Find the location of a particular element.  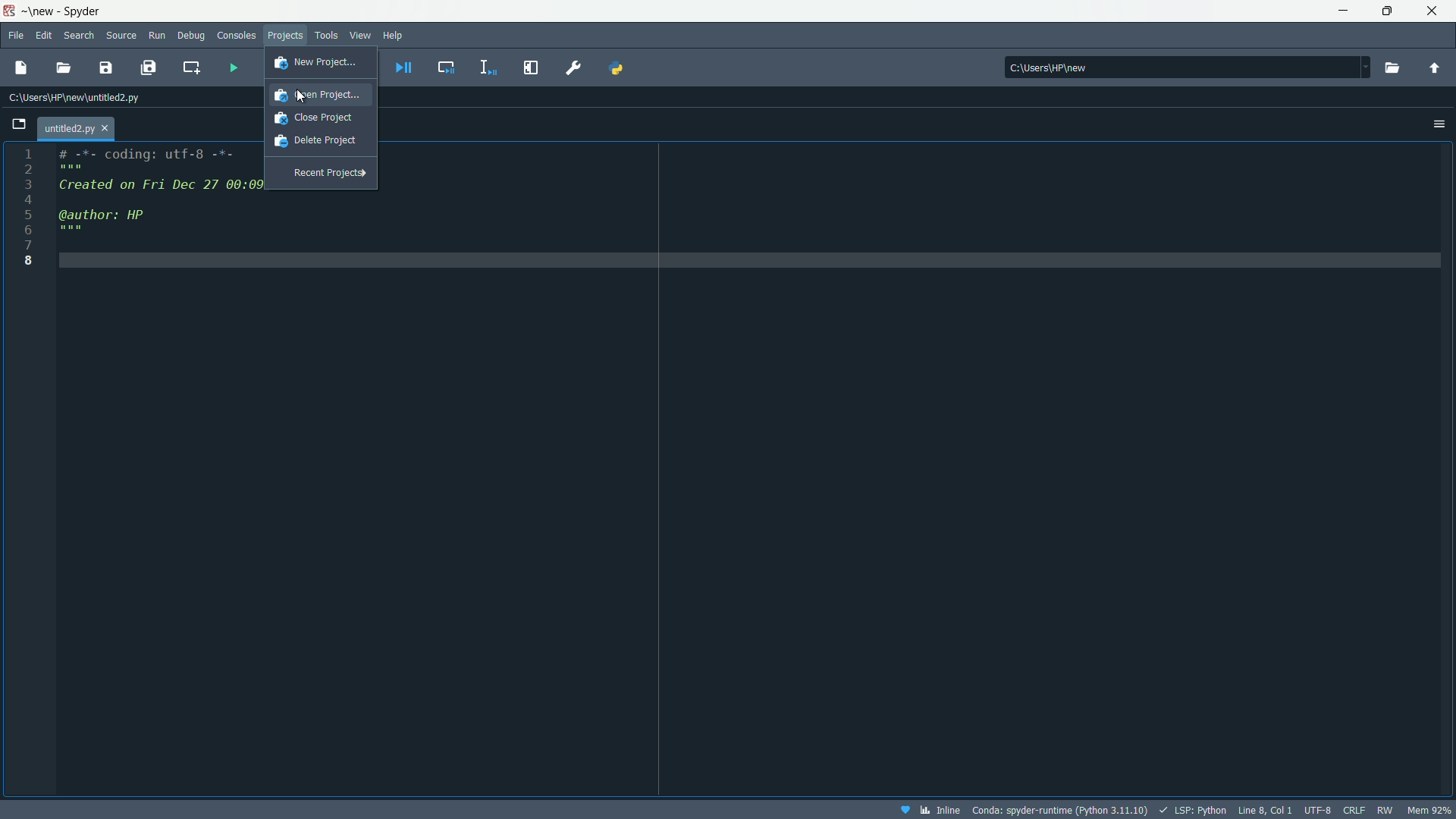

Help is located at coordinates (395, 33).